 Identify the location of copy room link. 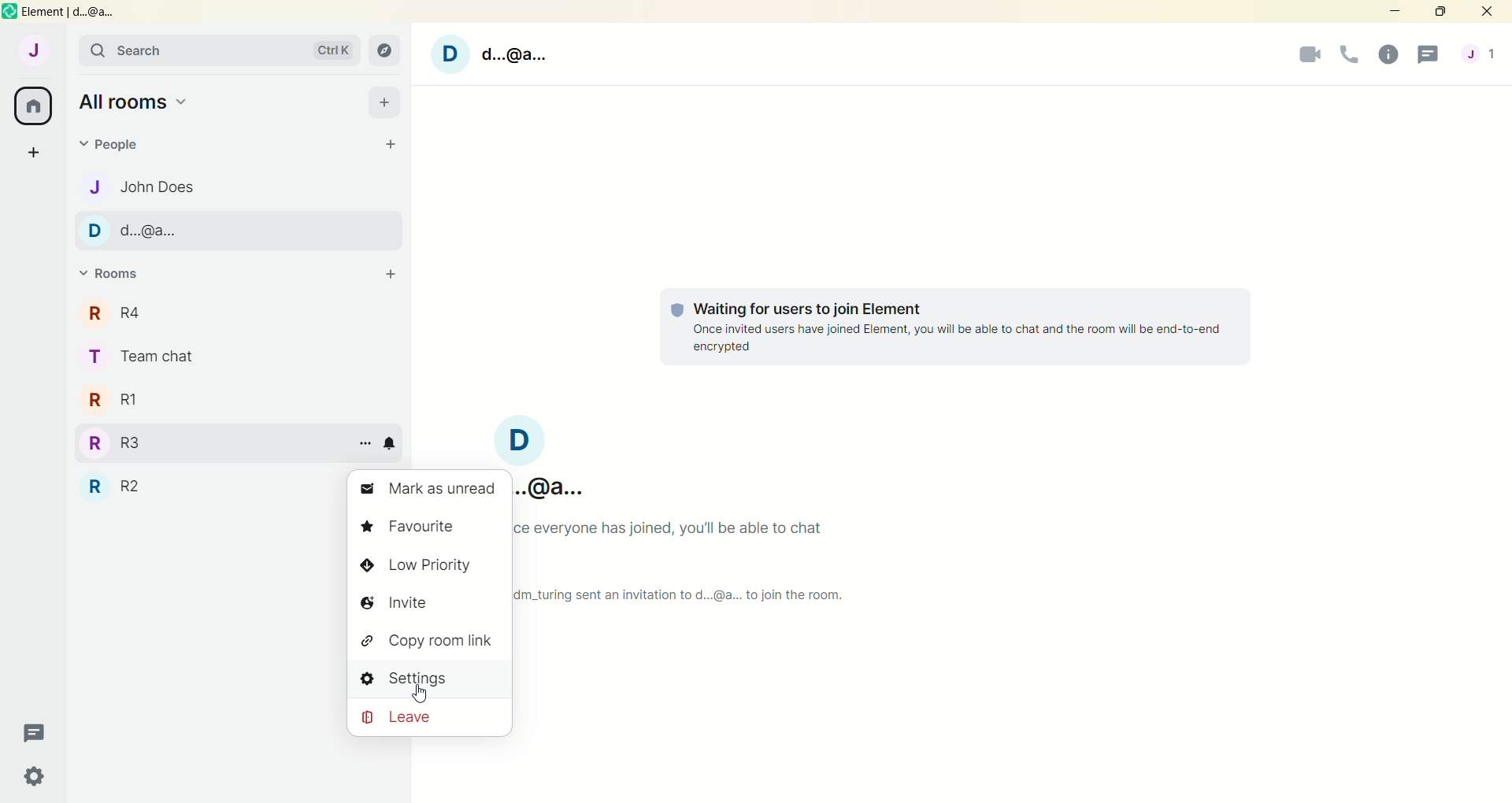
(428, 639).